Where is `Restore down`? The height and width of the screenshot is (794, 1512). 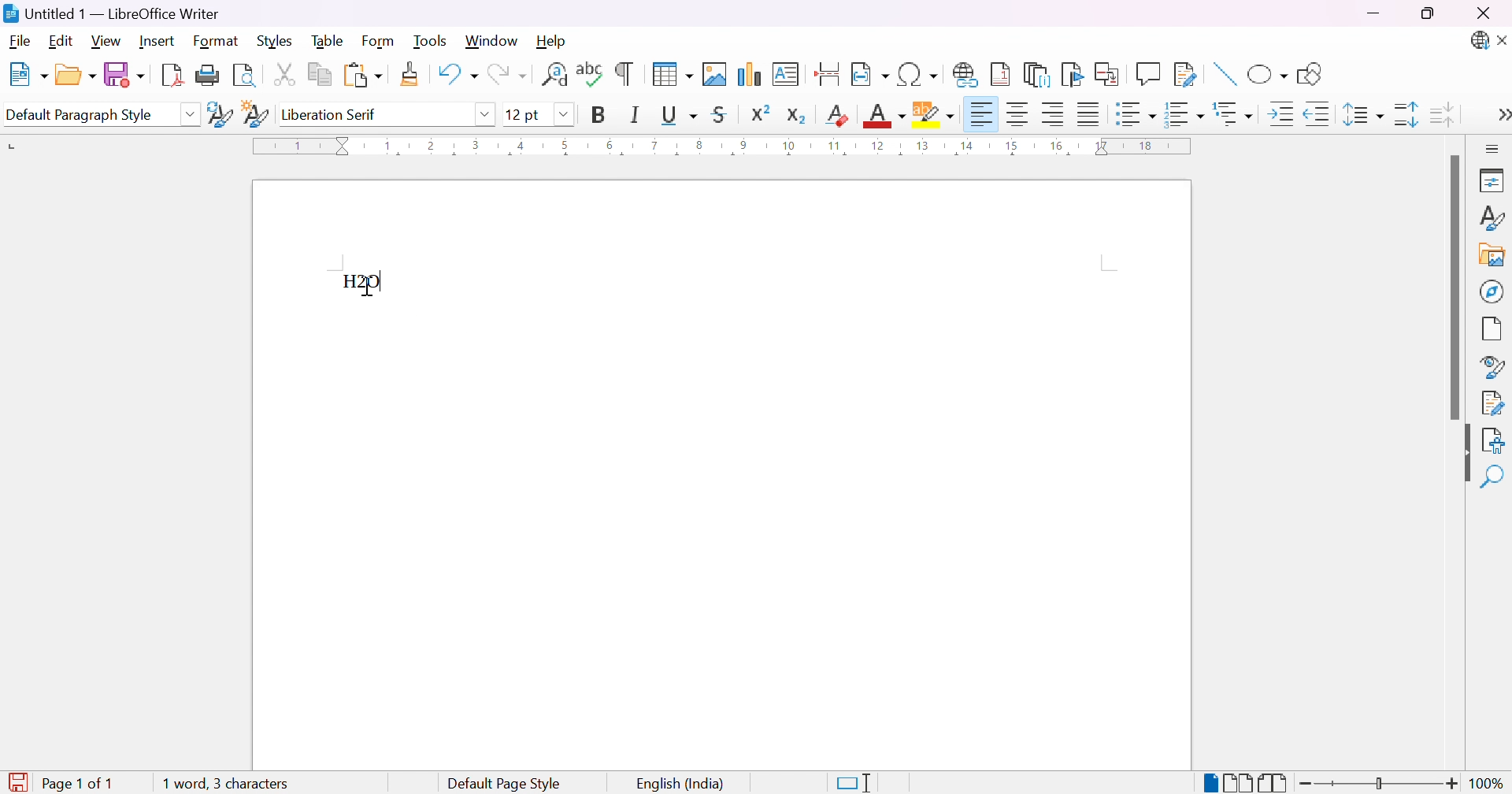
Restore down is located at coordinates (1428, 15).